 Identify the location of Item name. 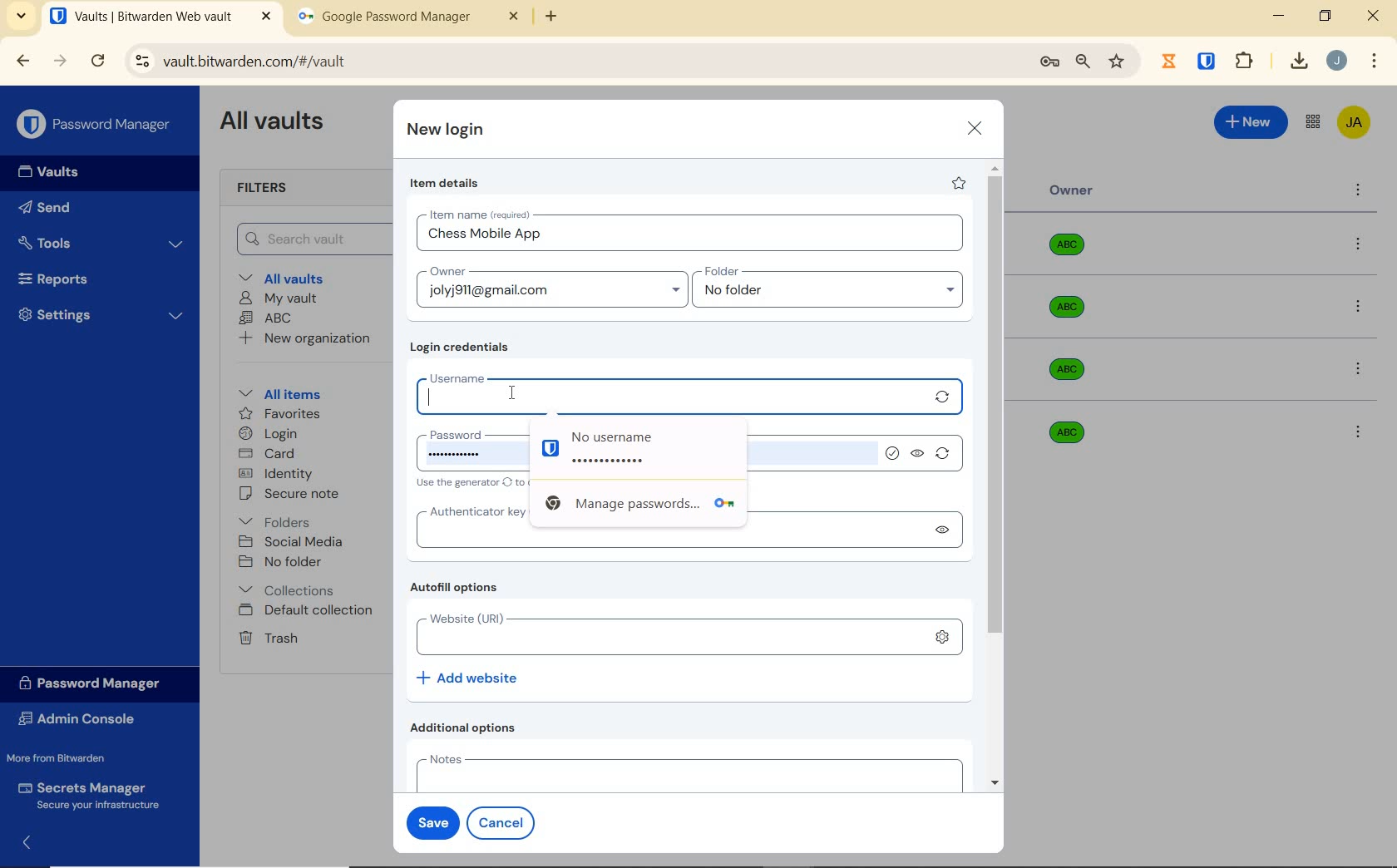
(481, 215).